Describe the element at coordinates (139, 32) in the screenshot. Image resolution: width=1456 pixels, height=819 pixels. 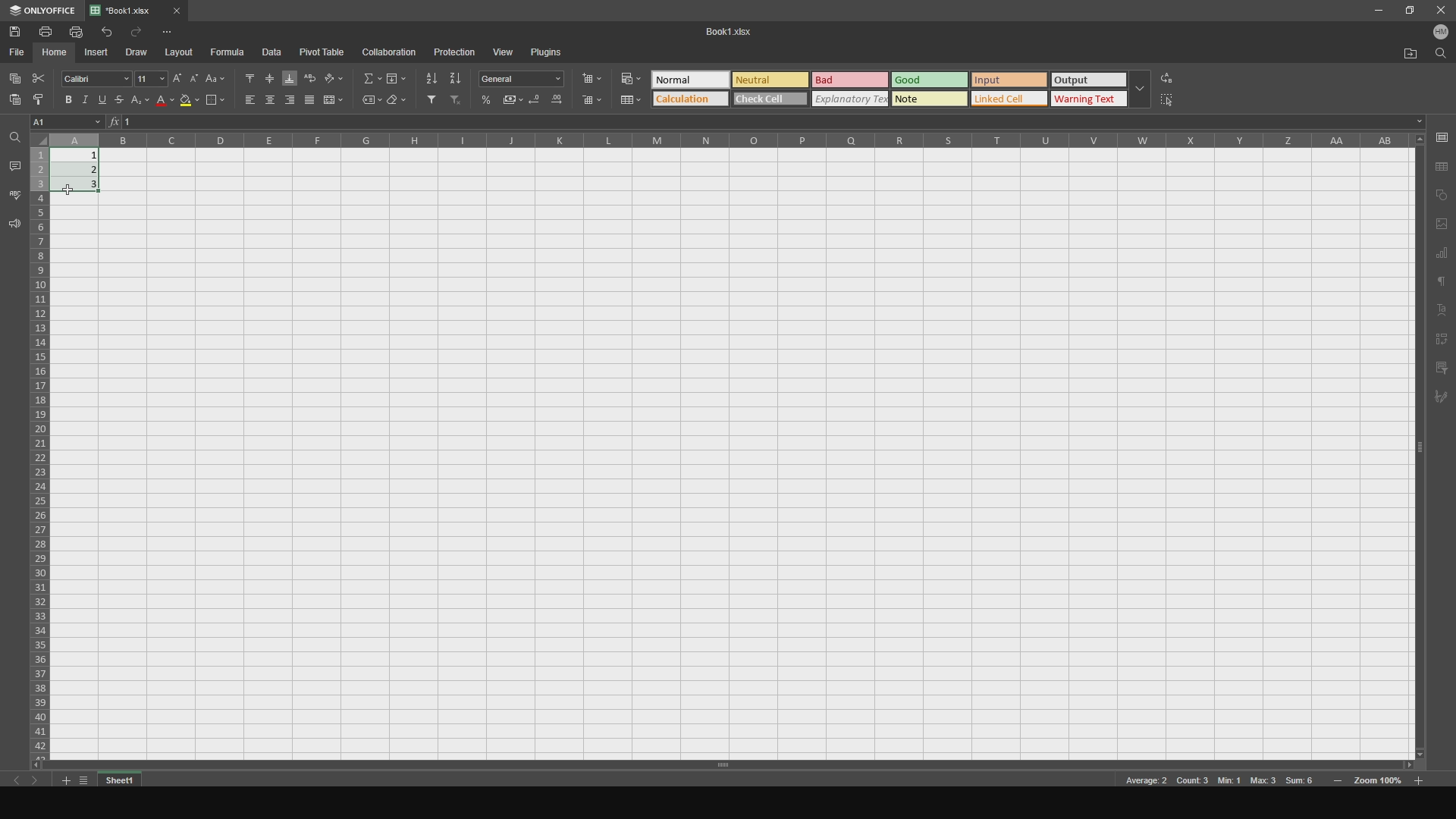
I see `redo` at that location.